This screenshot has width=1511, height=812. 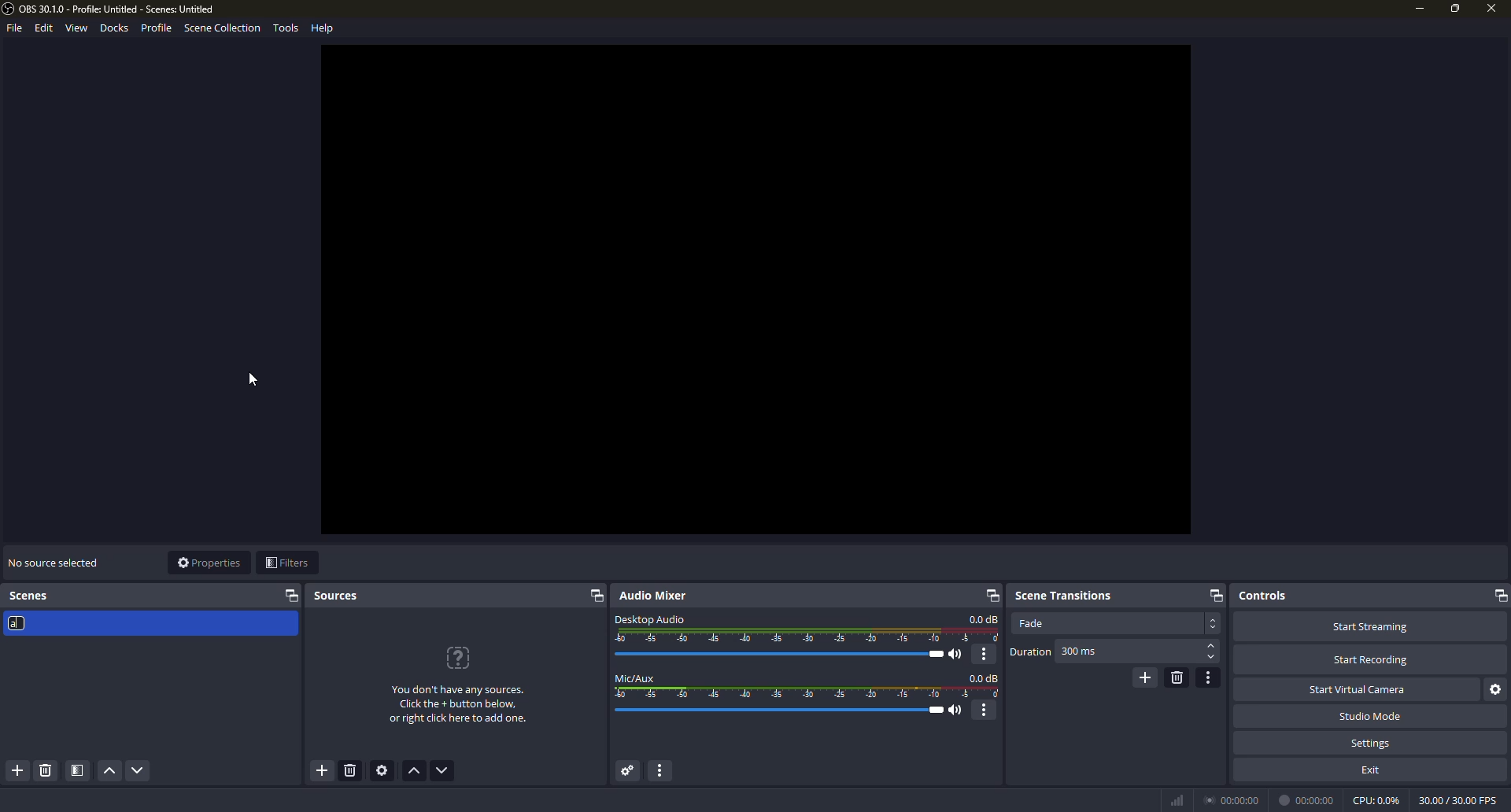 I want to click on start virtual camera, so click(x=1361, y=688).